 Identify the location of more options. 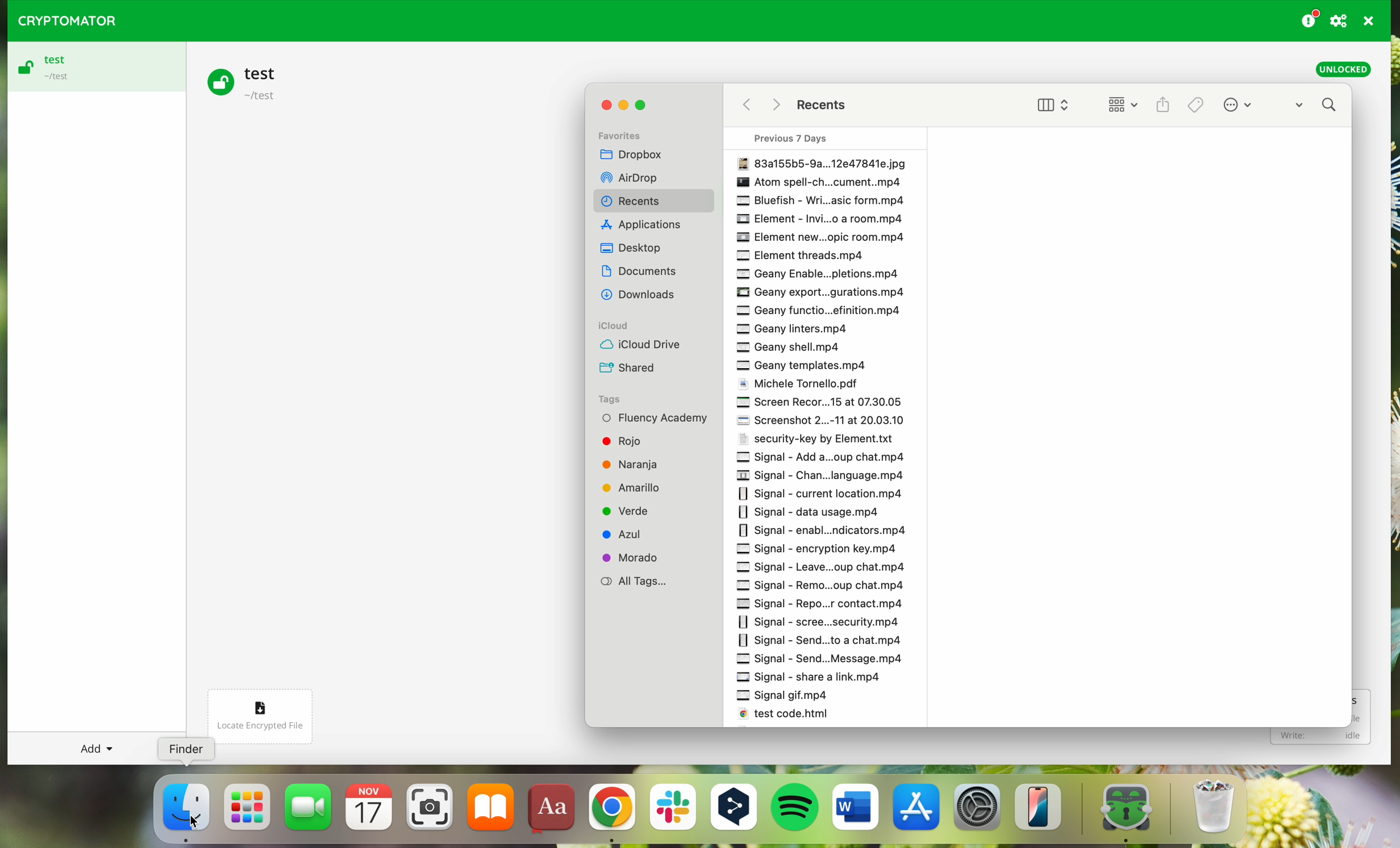
(1235, 106).